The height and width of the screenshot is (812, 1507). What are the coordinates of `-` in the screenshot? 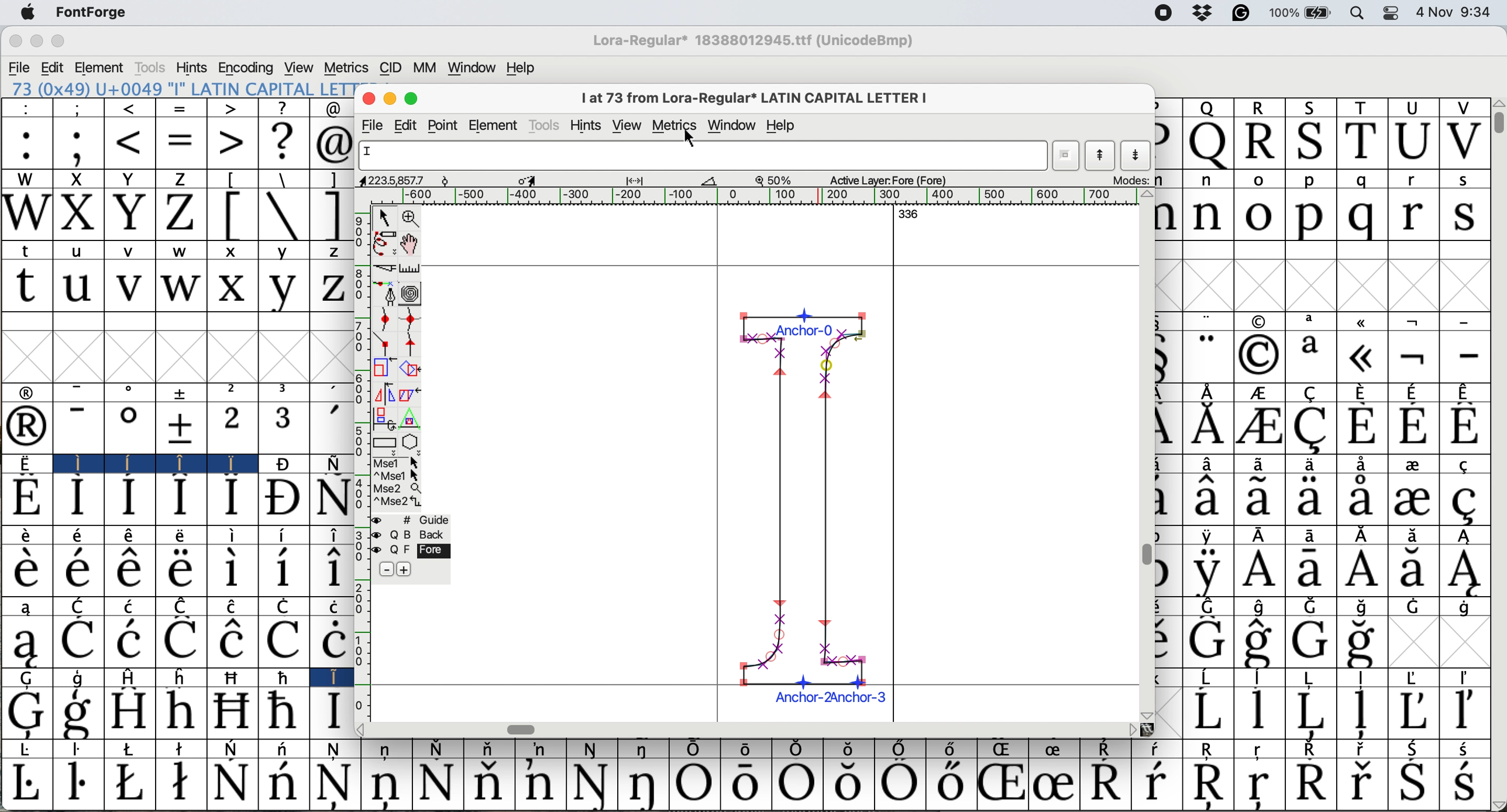 It's located at (1467, 318).